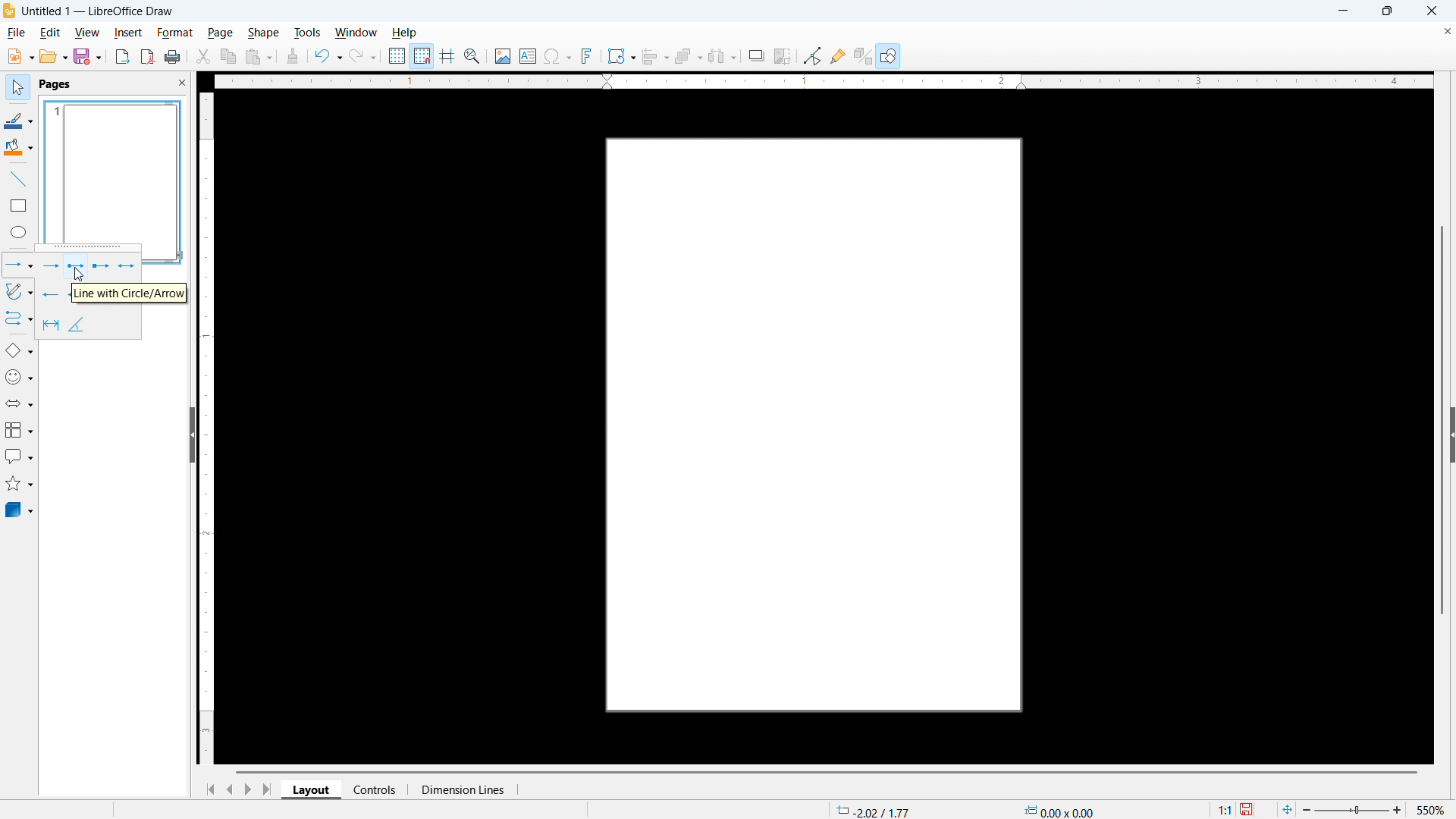 Image resolution: width=1456 pixels, height=819 pixels. I want to click on Horizontal ruler , so click(823, 81).